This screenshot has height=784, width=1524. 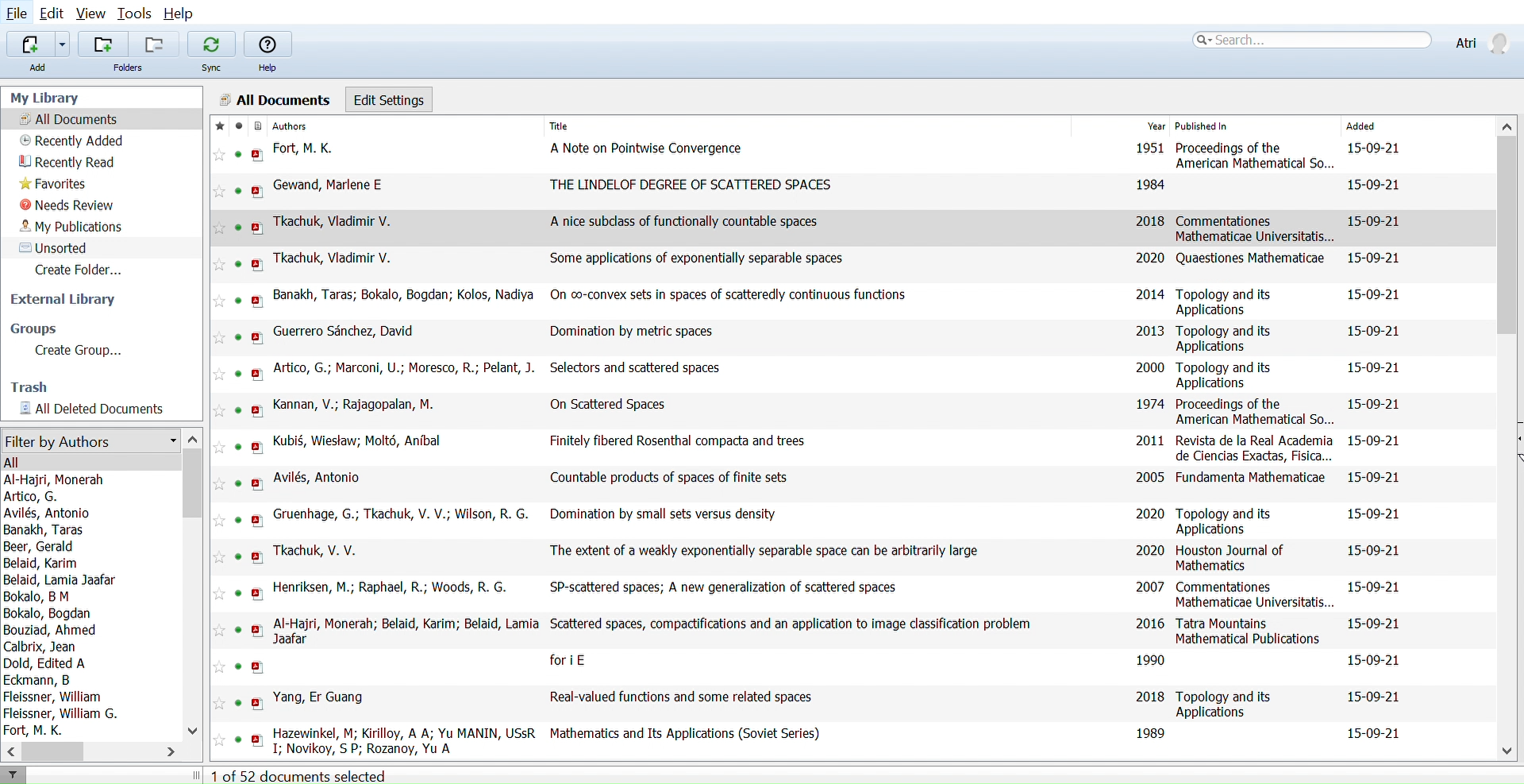 What do you see at coordinates (55, 248) in the screenshot?
I see `Unsorted` at bounding box center [55, 248].